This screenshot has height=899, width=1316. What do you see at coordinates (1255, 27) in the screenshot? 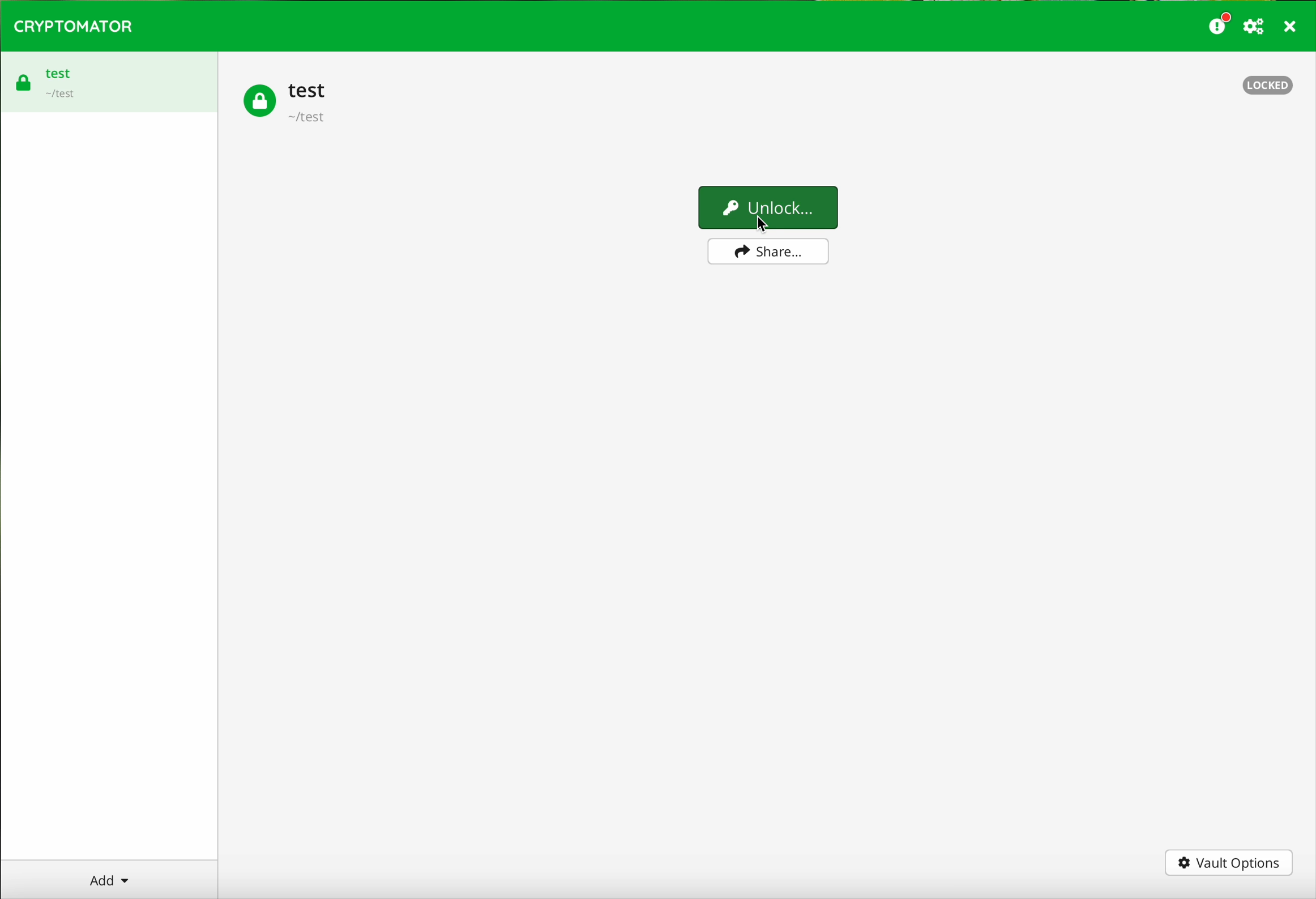
I see `preferences` at bounding box center [1255, 27].